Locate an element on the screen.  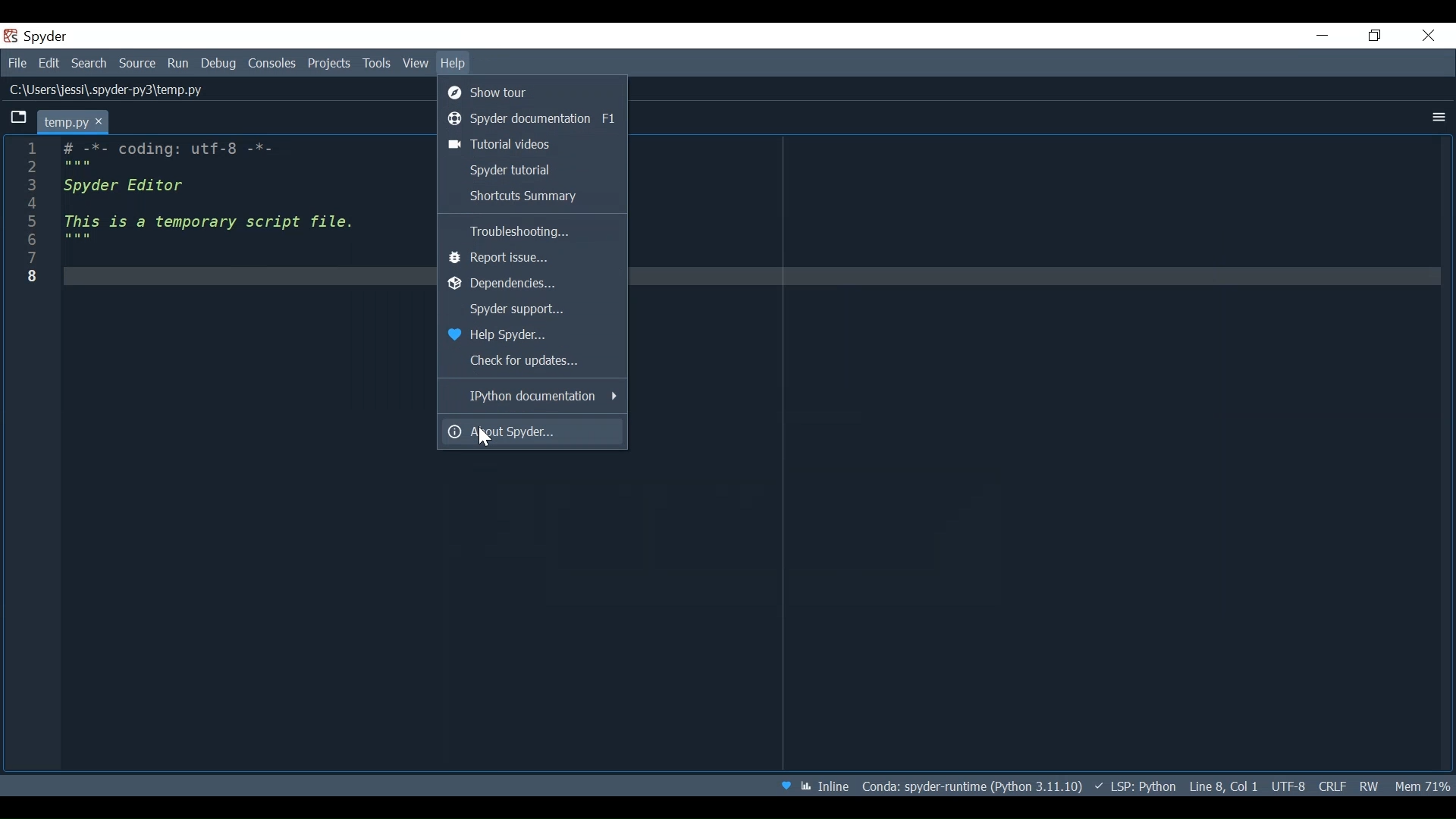
File Permissions is located at coordinates (1369, 786).